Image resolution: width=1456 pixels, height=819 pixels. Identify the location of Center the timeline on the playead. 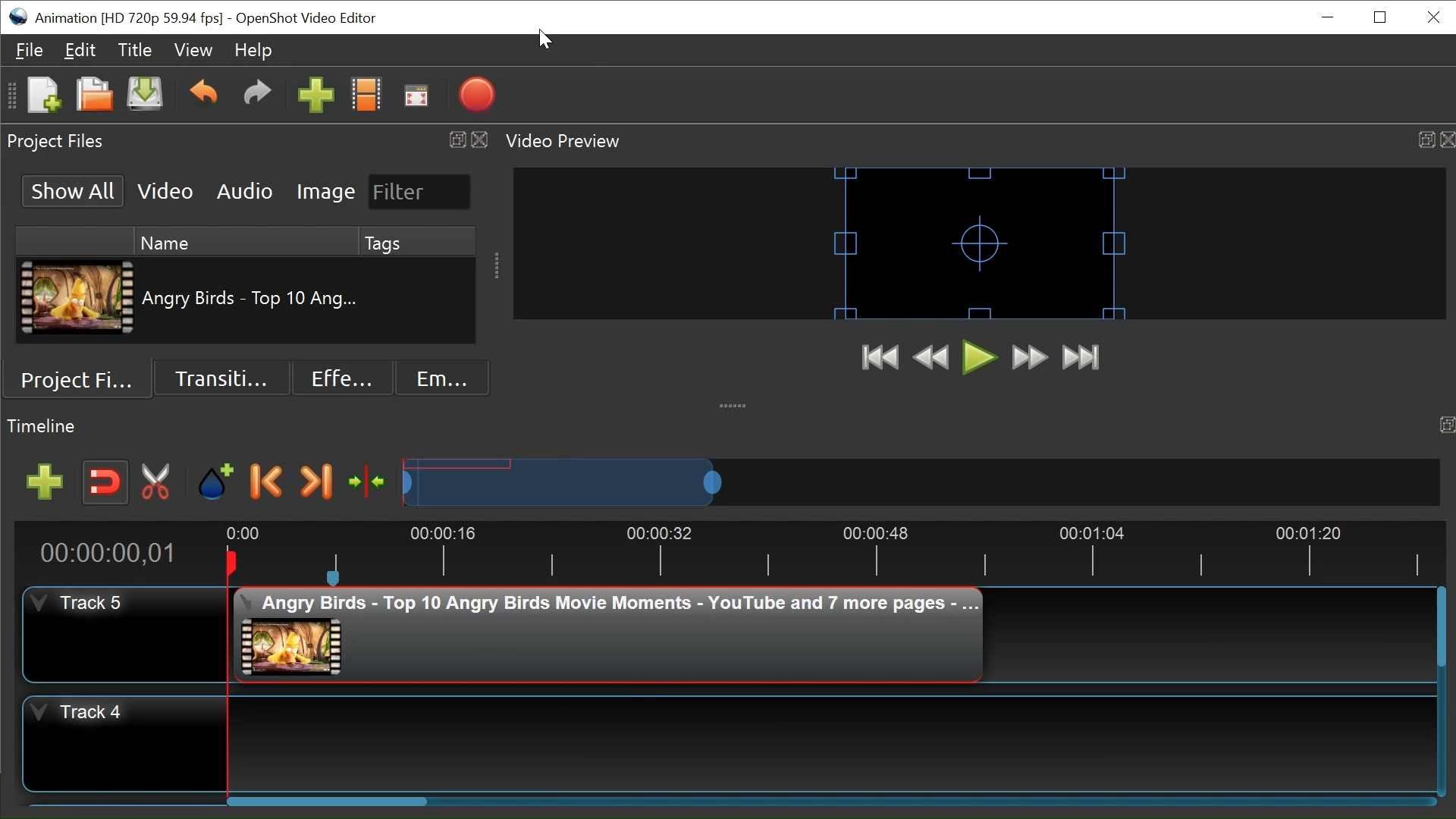
(370, 483).